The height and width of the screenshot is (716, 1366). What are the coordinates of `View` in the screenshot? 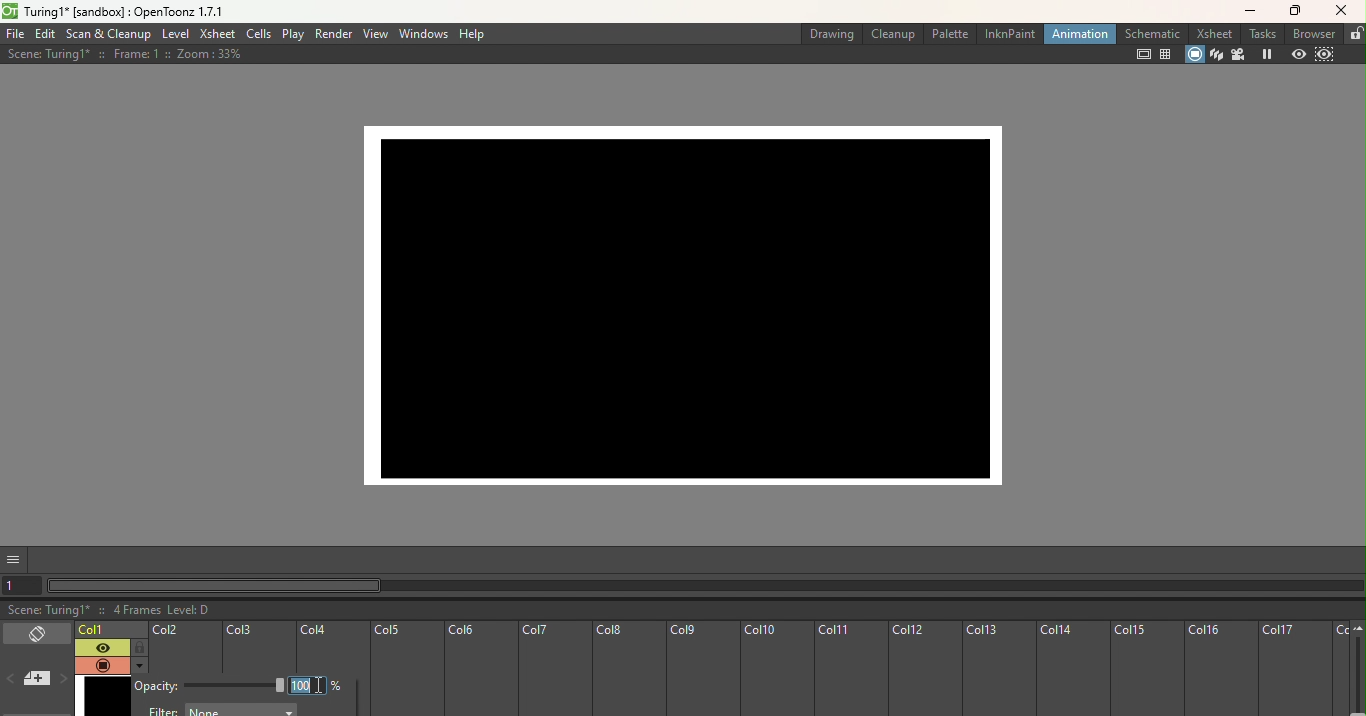 It's located at (373, 34).